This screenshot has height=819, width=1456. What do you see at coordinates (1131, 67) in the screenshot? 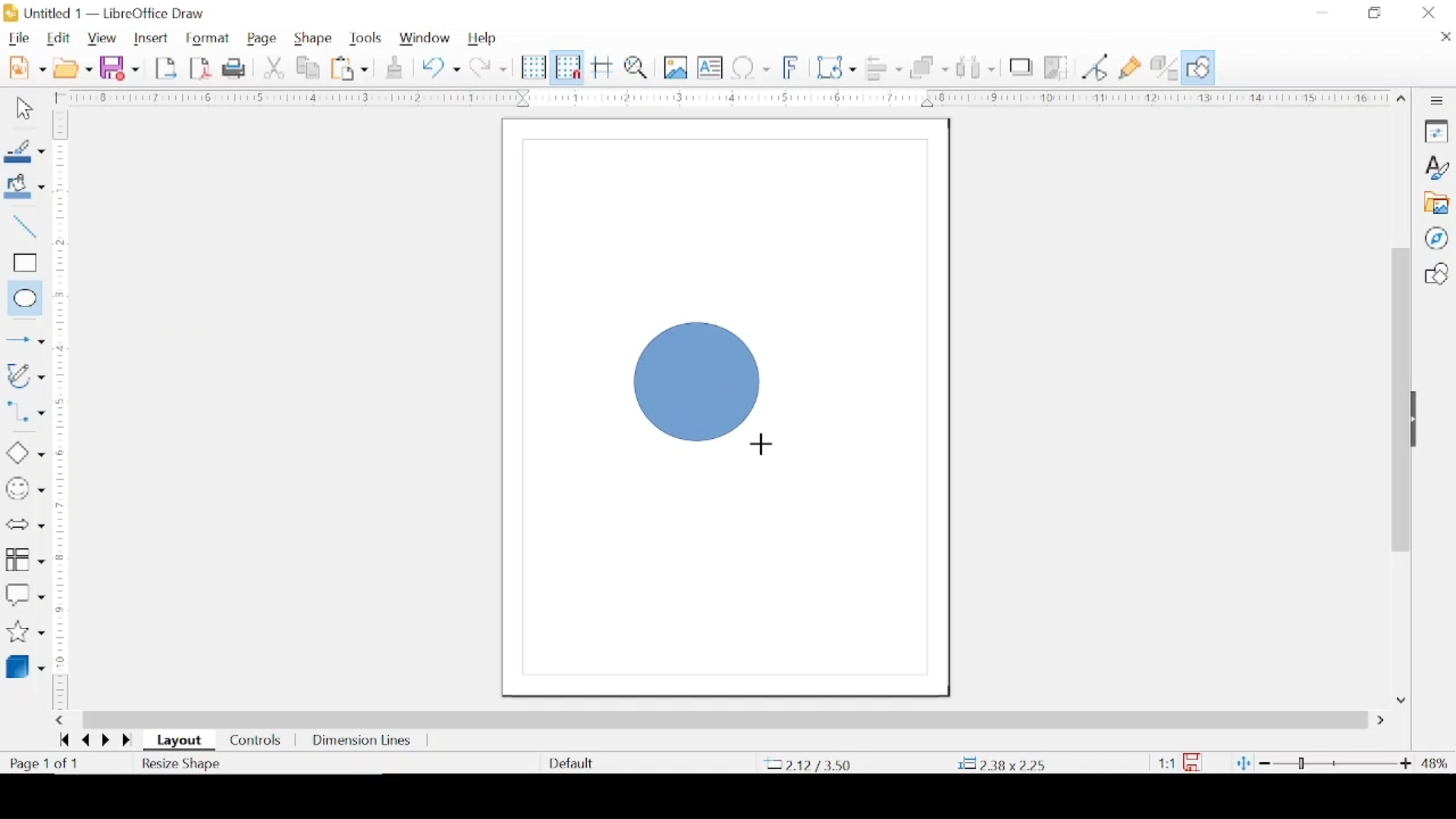
I see `show gluepoint functions` at bounding box center [1131, 67].